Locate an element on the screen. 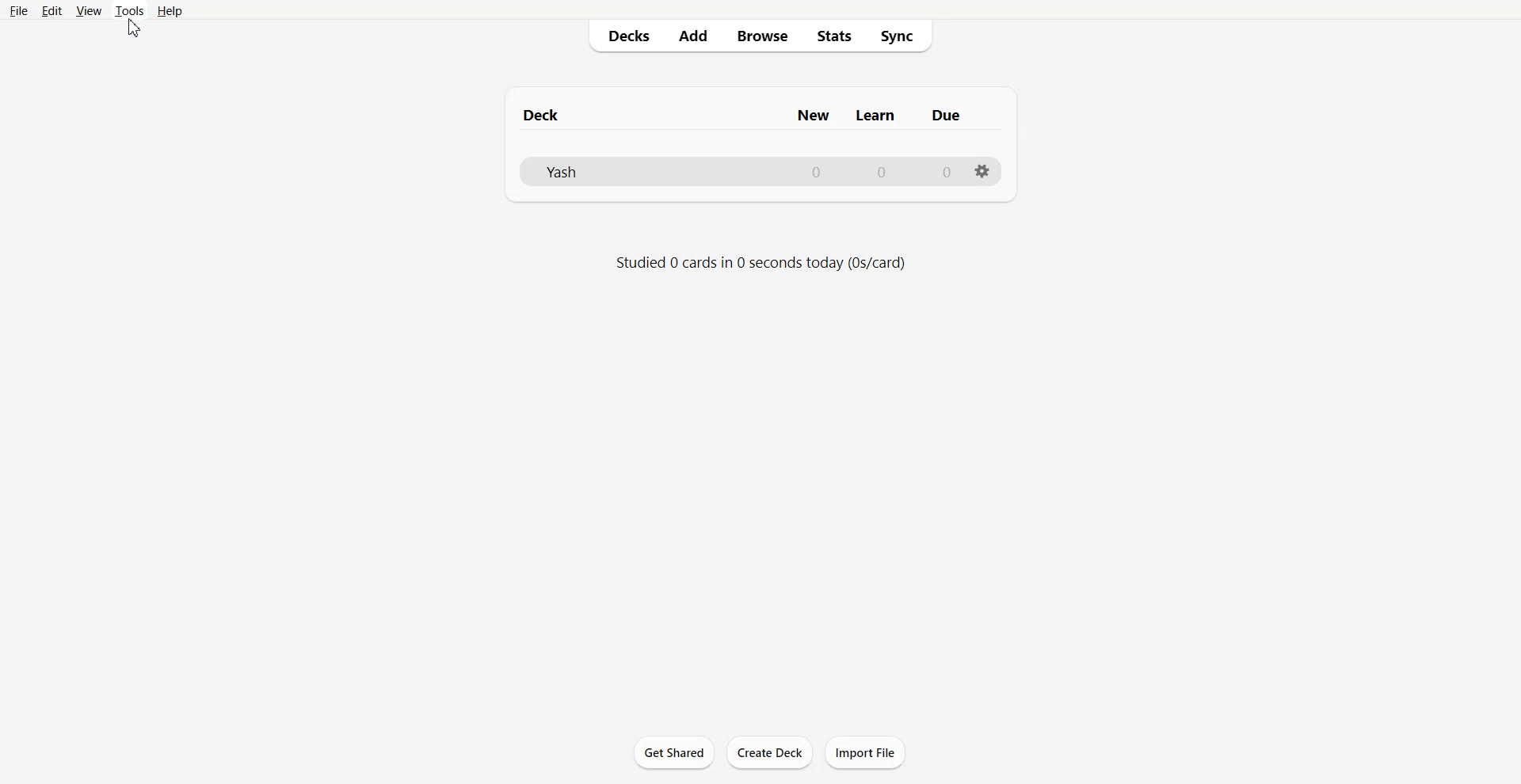 The image size is (1521, 784). Sync is located at coordinates (902, 36).